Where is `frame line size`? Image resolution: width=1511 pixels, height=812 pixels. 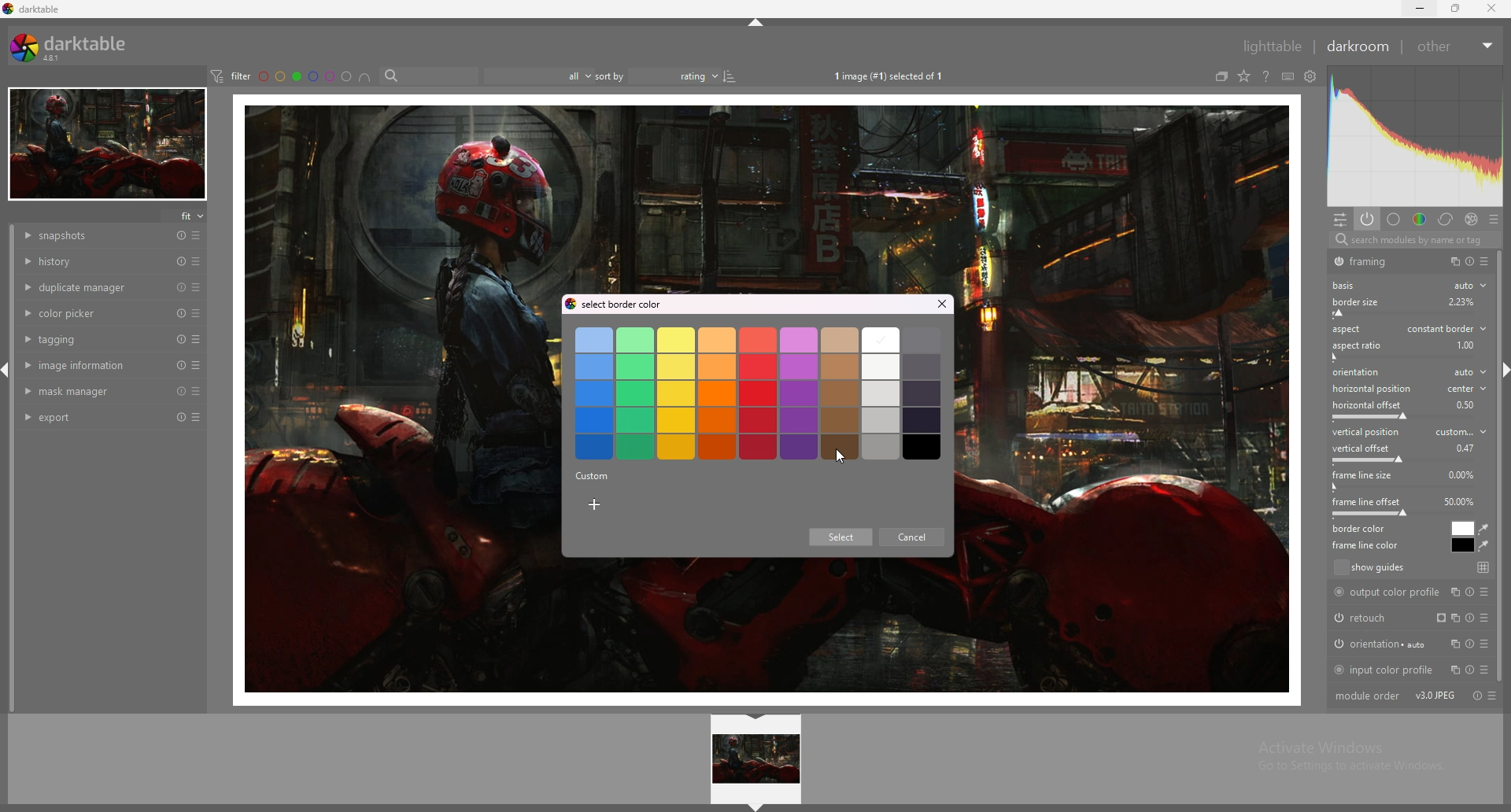 frame line size is located at coordinates (1362, 475).